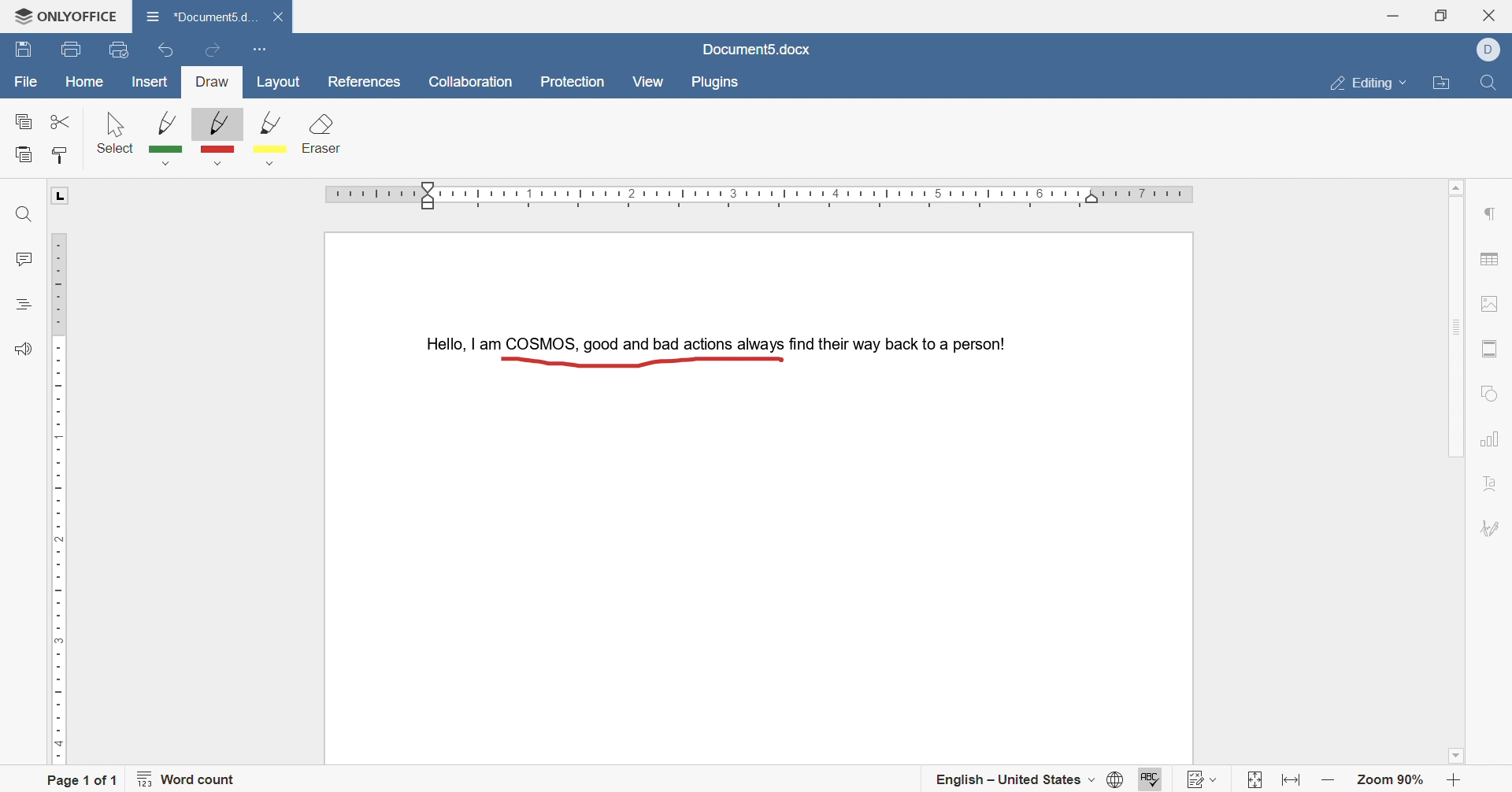 Image resolution: width=1512 pixels, height=792 pixels. Describe the element at coordinates (22, 260) in the screenshot. I see `comments` at that location.